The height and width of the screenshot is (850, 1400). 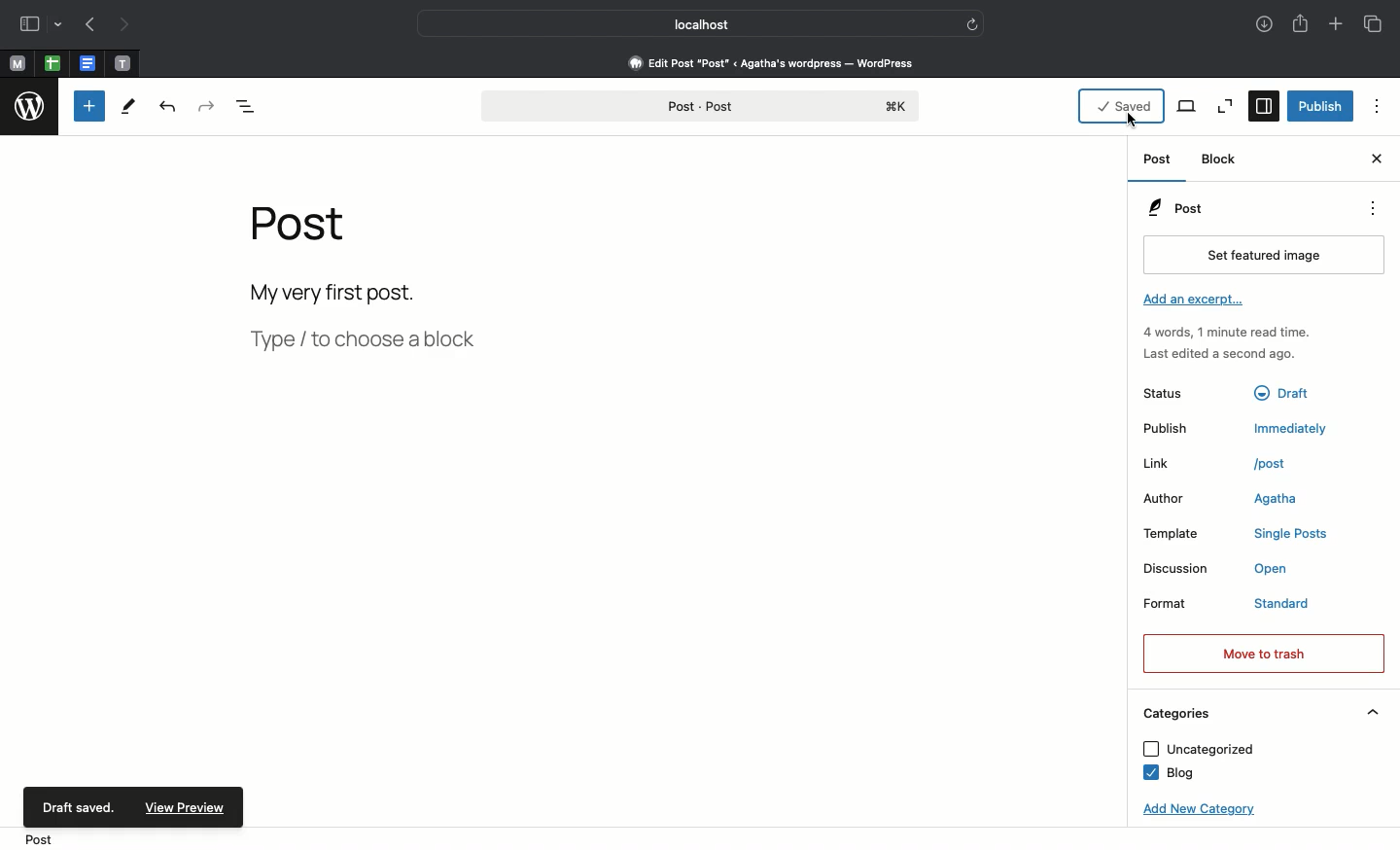 What do you see at coordinates (1288, 390) in the screenshot?
I see `` at bounding box center [1288, 390].